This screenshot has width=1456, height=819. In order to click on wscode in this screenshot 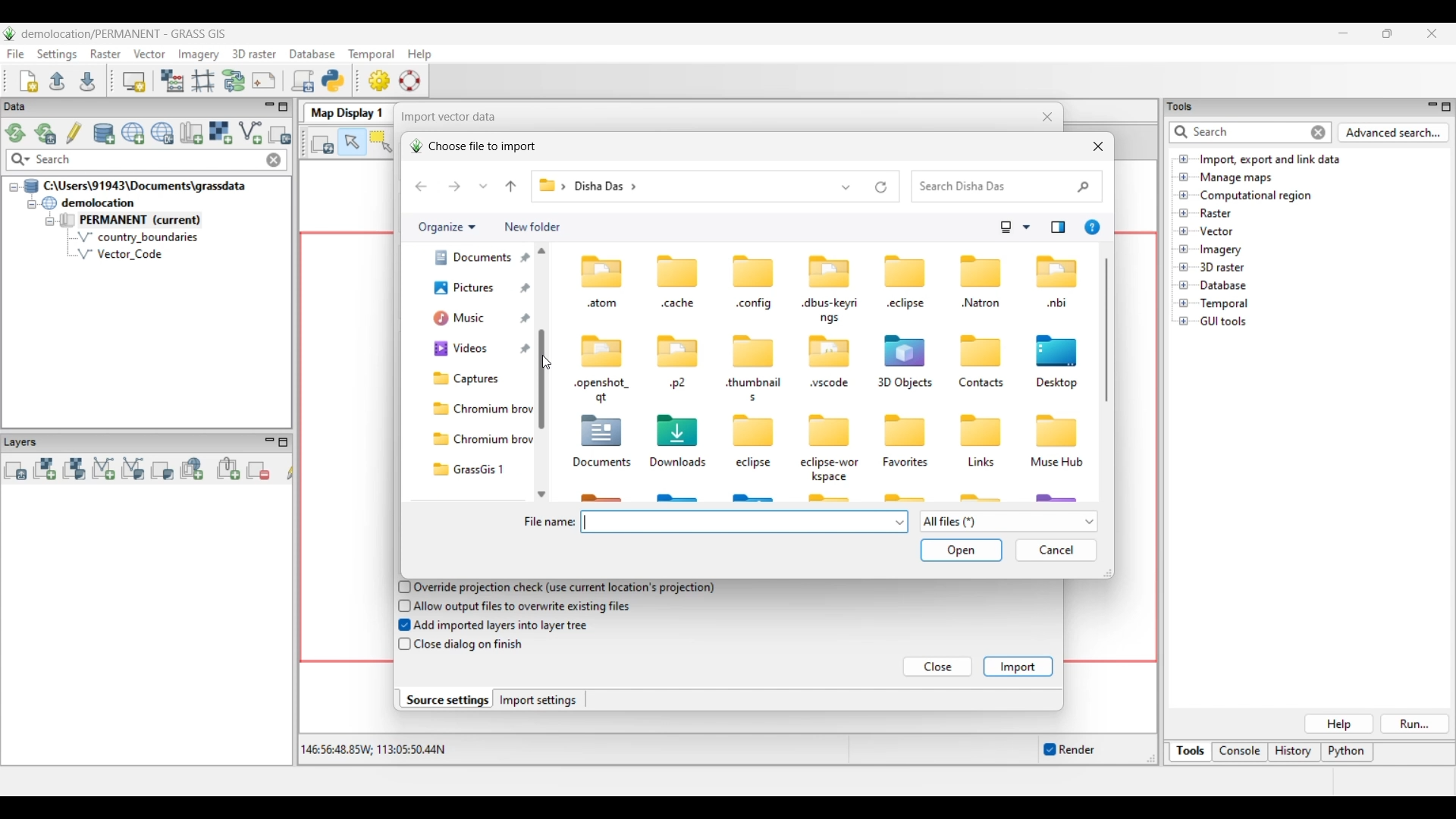, I will do `click(830, 384)`.